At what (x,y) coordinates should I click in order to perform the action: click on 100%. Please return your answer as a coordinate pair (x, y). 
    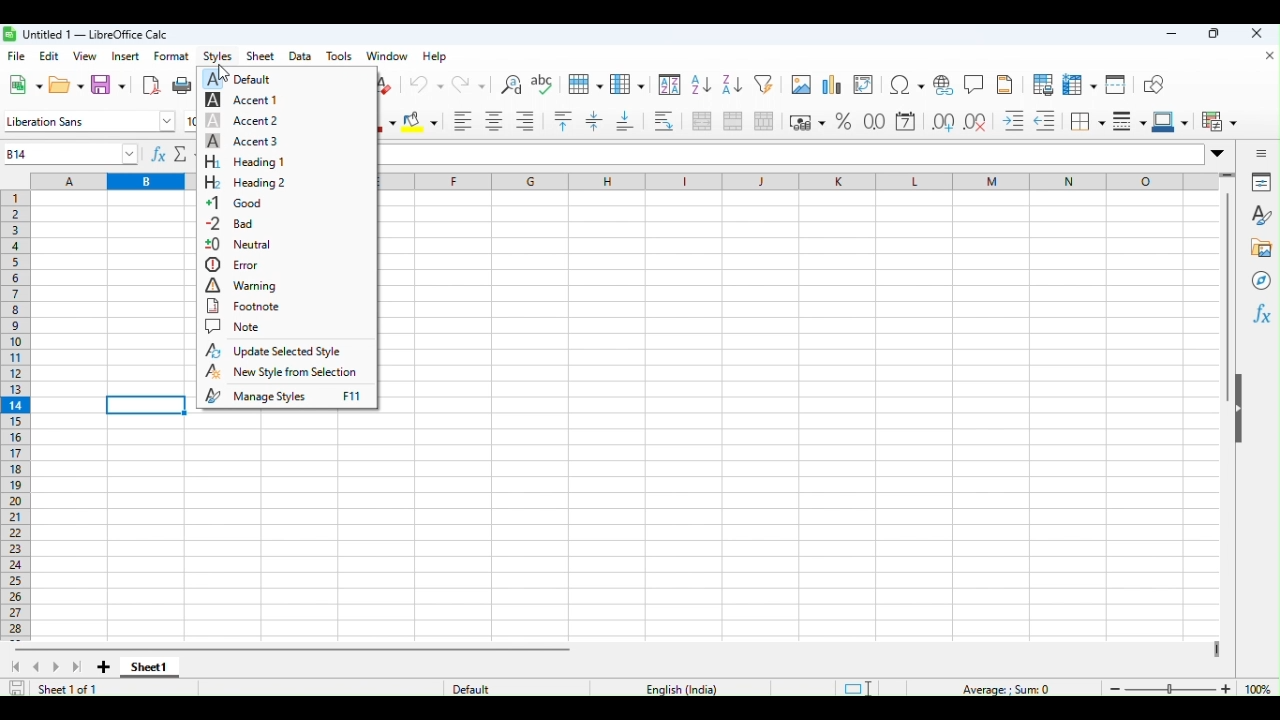
    Looking at the image, I should click on (1261, 688).